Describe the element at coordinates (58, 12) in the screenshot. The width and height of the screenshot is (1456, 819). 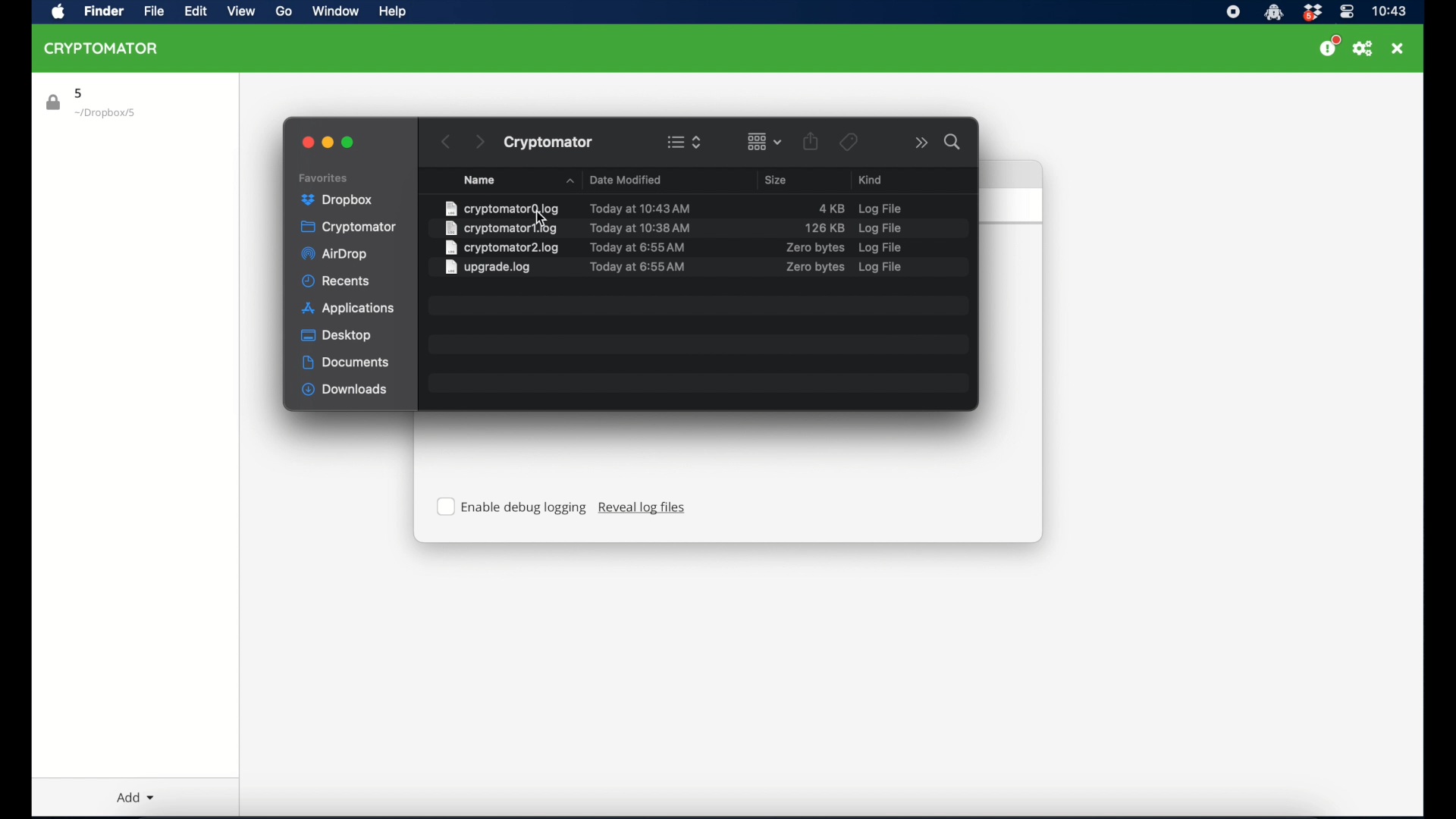
I see `apple icon` at that location.